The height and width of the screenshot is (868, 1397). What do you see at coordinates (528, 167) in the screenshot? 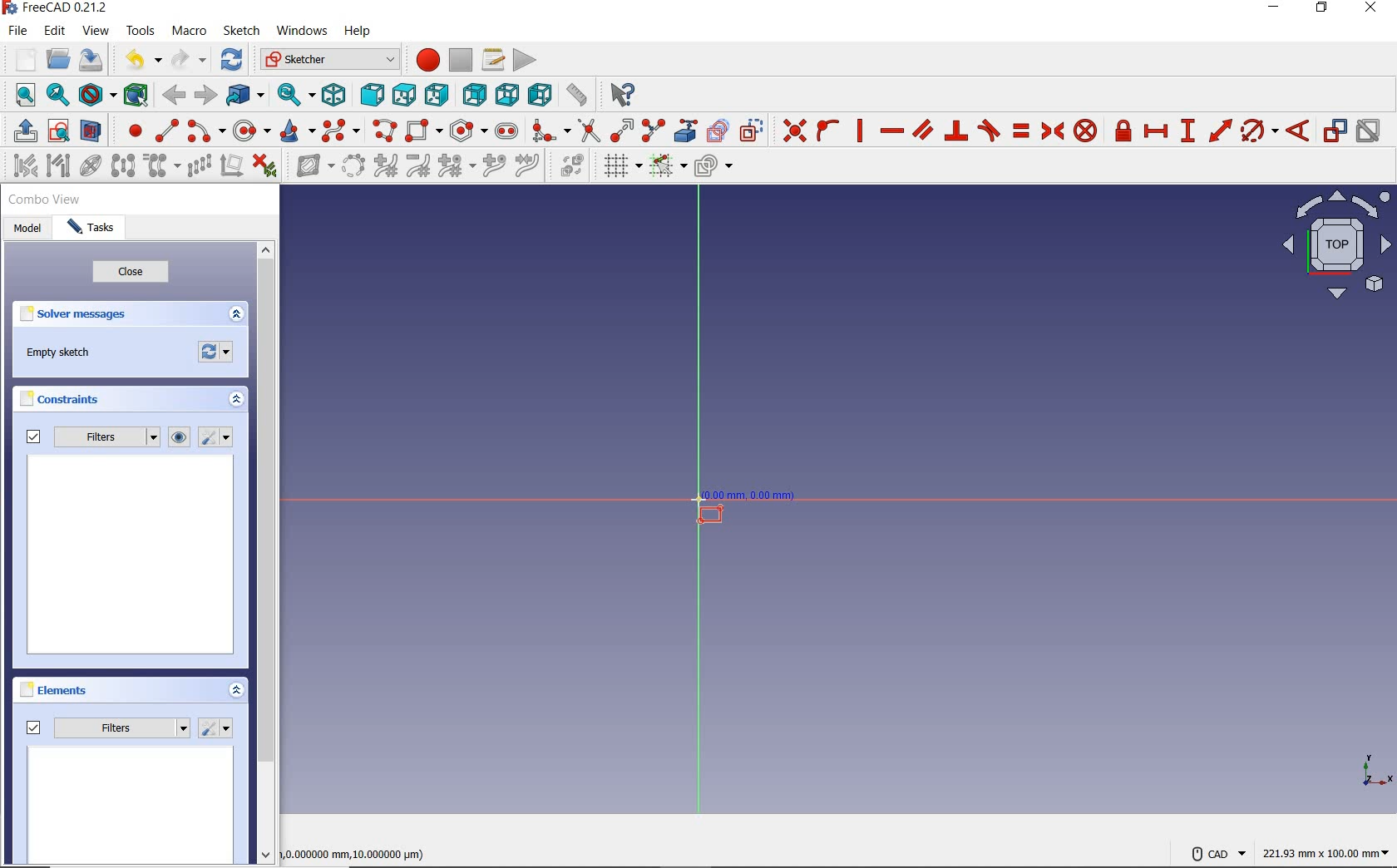
I see `join curves` at bounding box center [528, 167].